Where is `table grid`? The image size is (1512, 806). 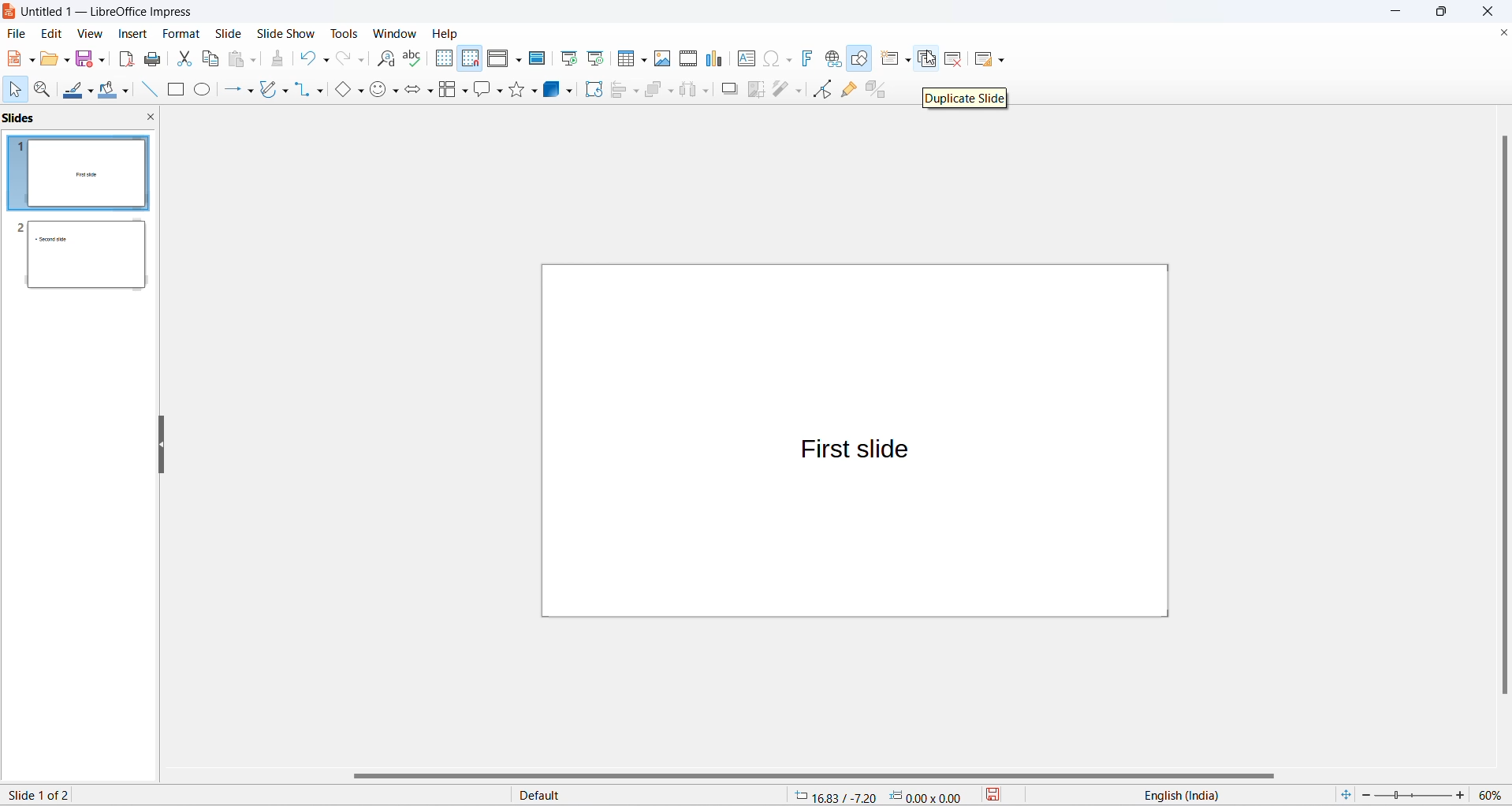 table grid is located at coordinates (643, 62).